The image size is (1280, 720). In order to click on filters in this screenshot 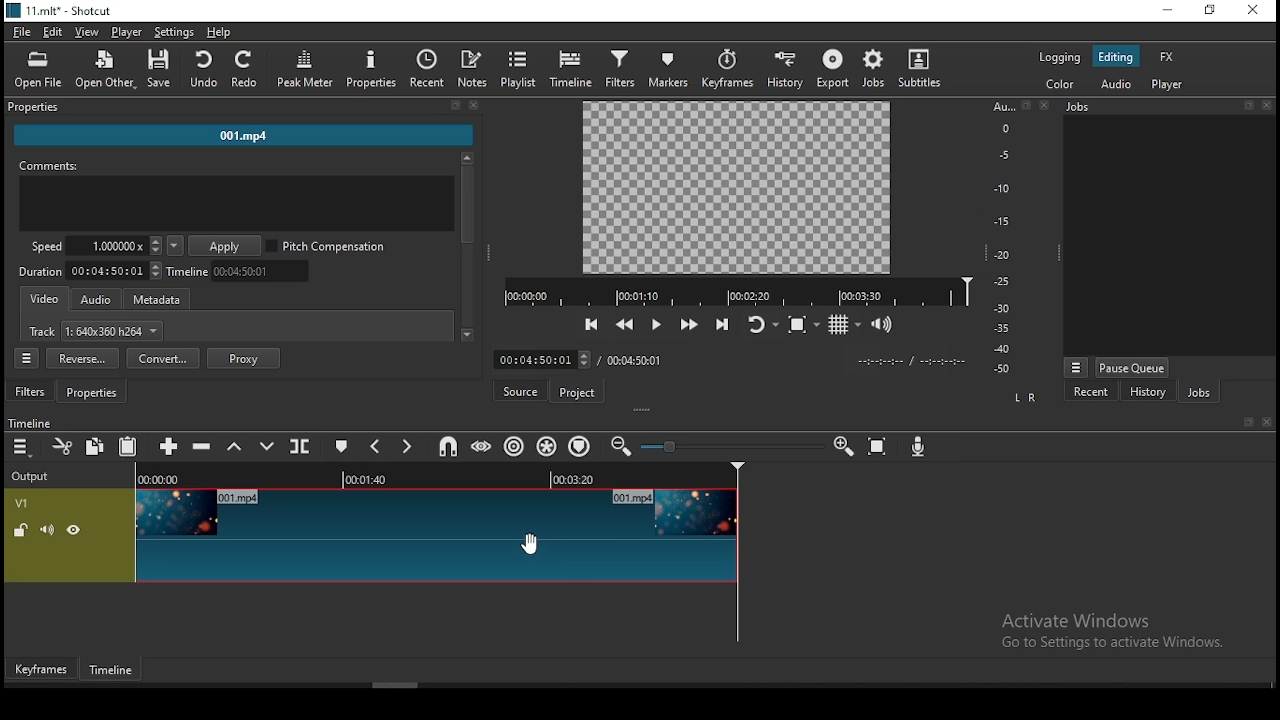, I will do `click(622, 68)`.